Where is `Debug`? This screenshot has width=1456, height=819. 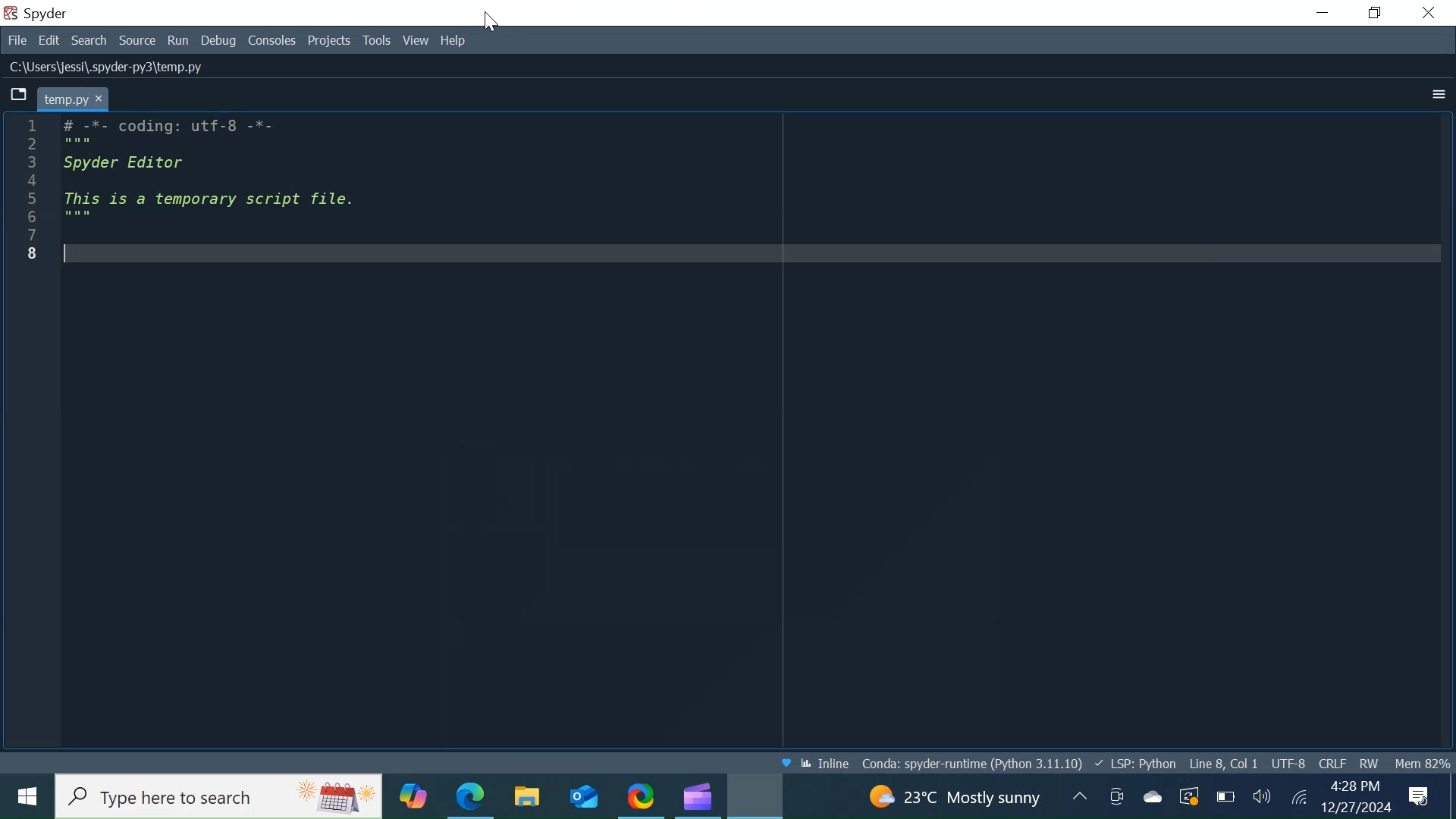
Debug is located at coordinates (220, 42).